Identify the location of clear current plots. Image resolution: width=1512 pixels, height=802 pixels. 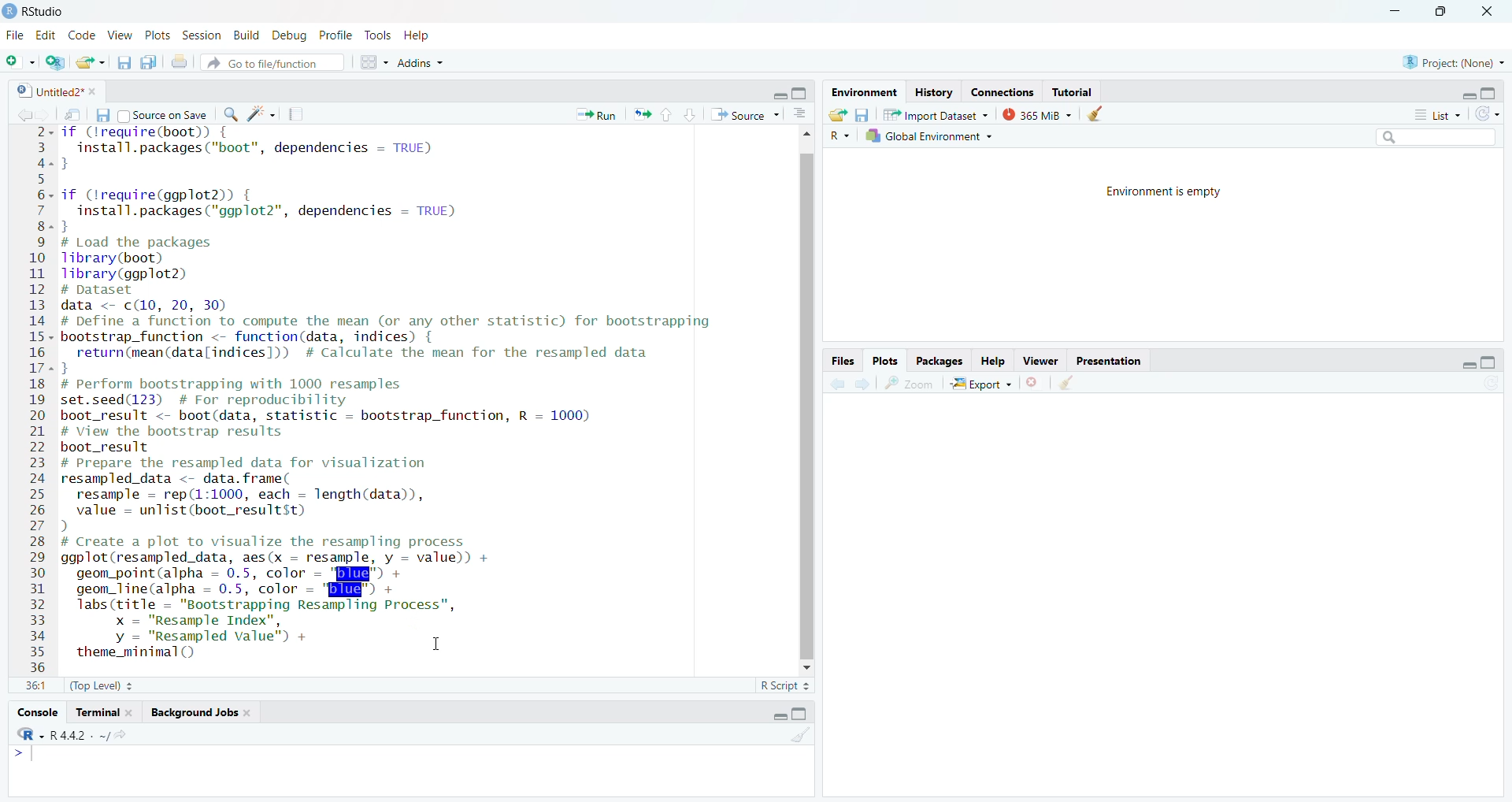
(1036, 382).